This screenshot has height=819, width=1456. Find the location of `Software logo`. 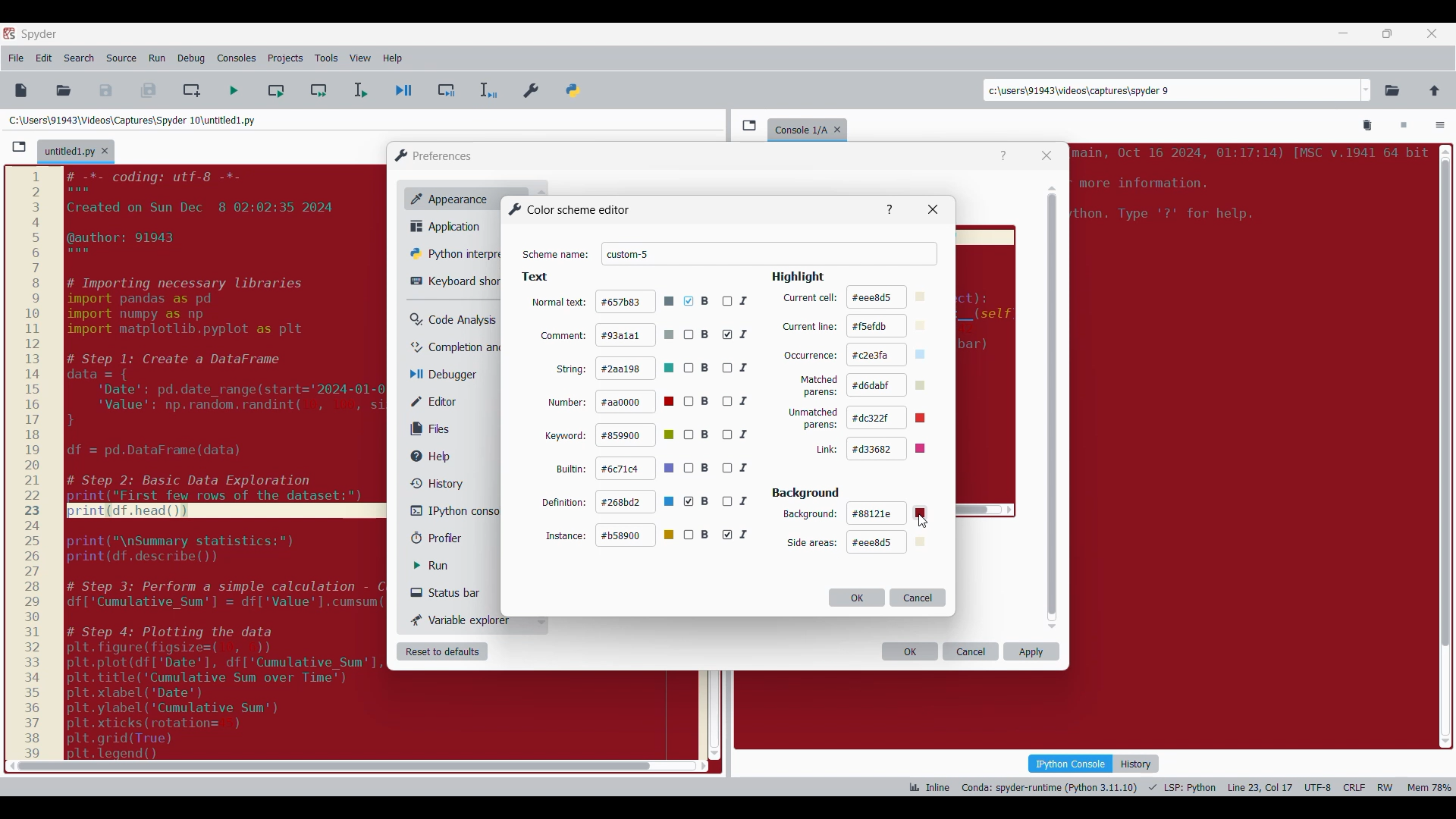

Software logo is located at coordinates (9, 33).